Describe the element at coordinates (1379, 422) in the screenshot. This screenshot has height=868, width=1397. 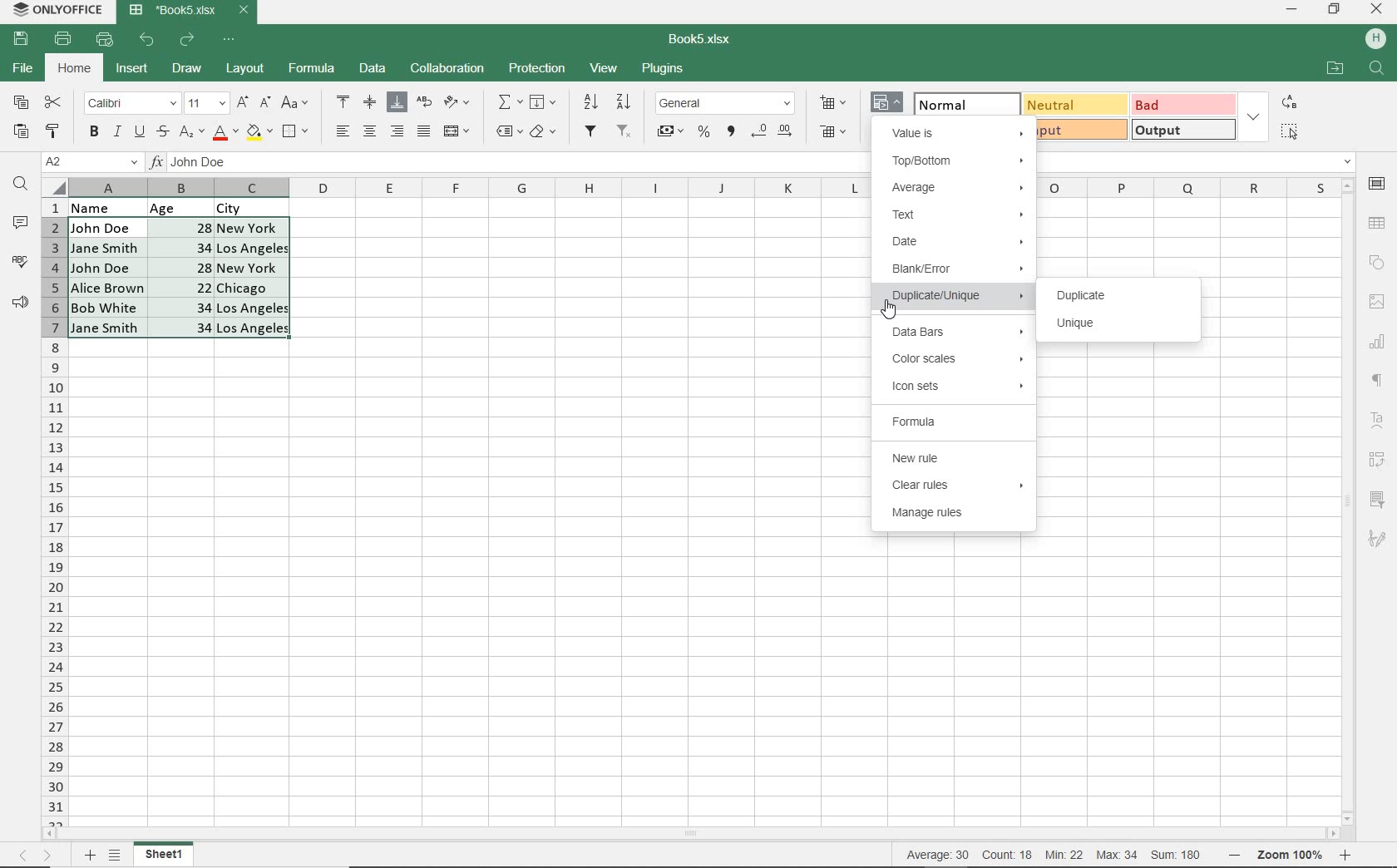
I see `TEXT ART` at that location.